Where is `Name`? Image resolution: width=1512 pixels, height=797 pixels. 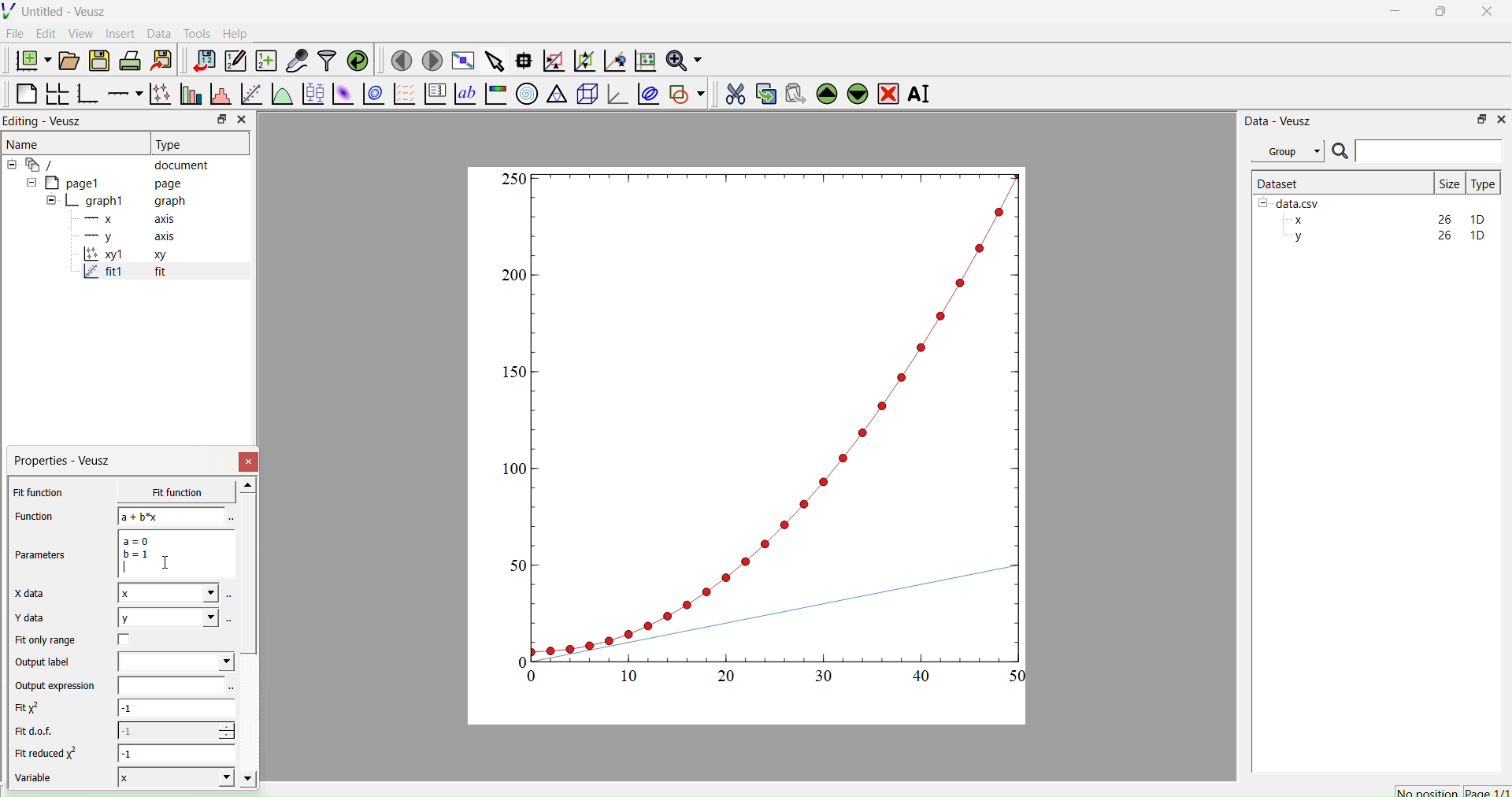 Name is located at coordinates (24, 143).